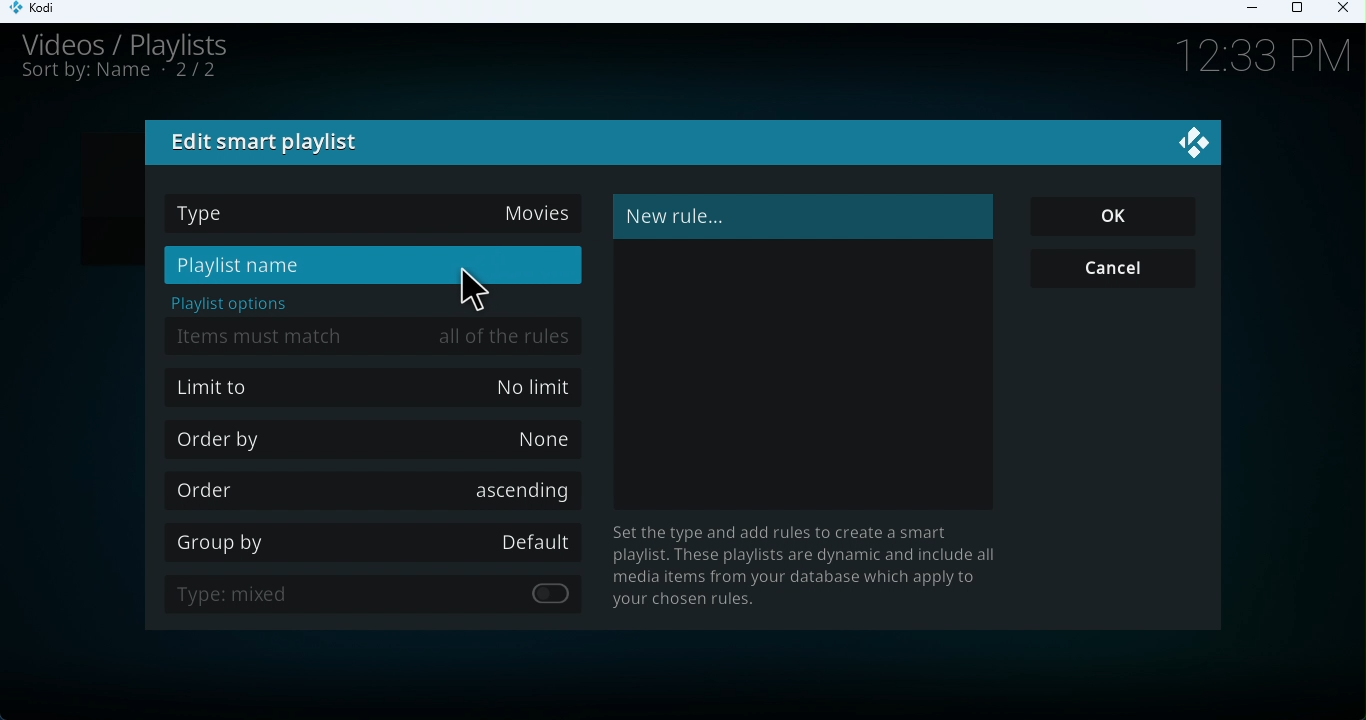 The height and width of the screenshot is (720, 1366). I want to click on Type: mixed, so click(384, 596).